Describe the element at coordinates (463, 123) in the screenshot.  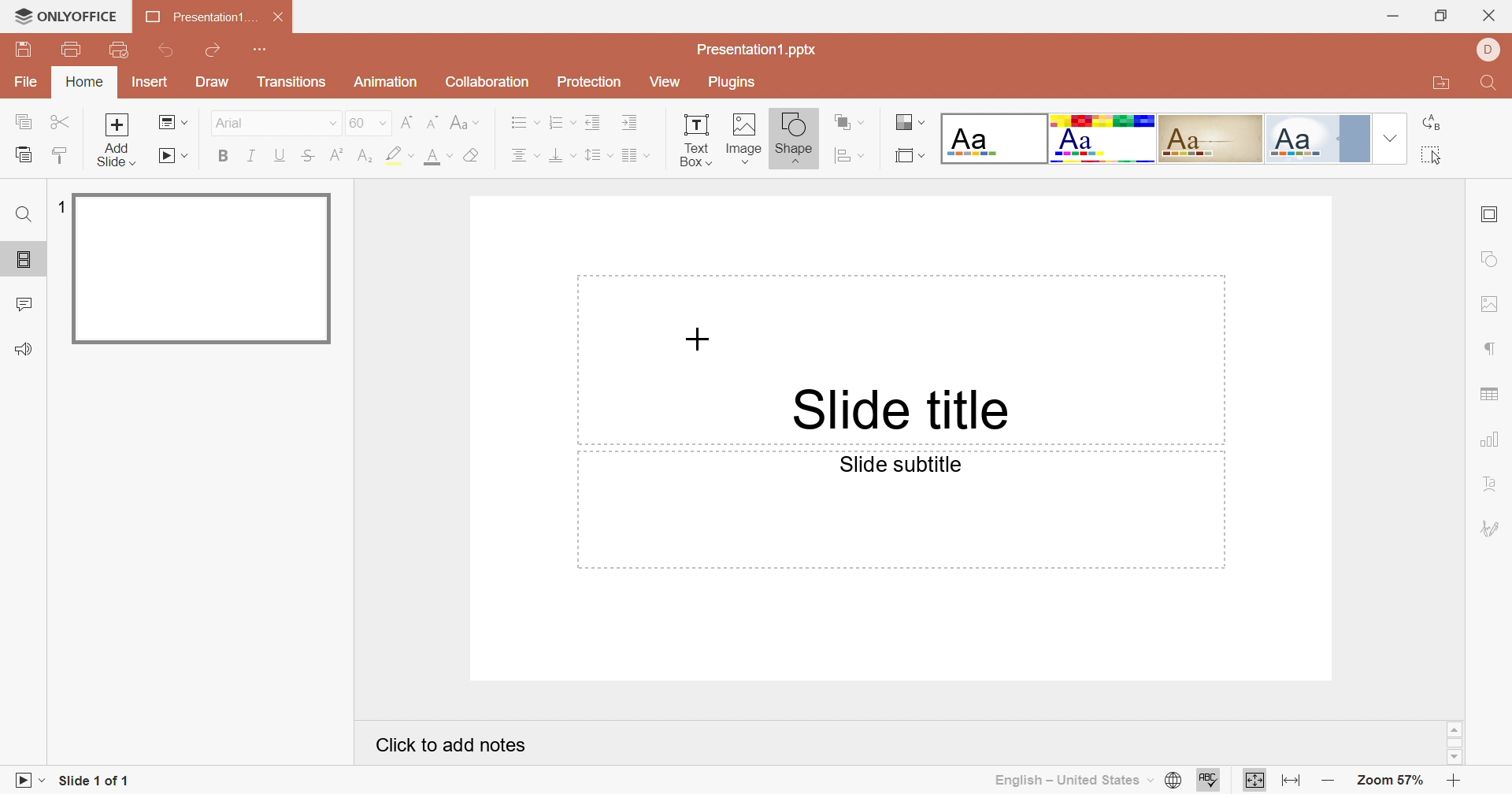
I see `Change case` at that location.